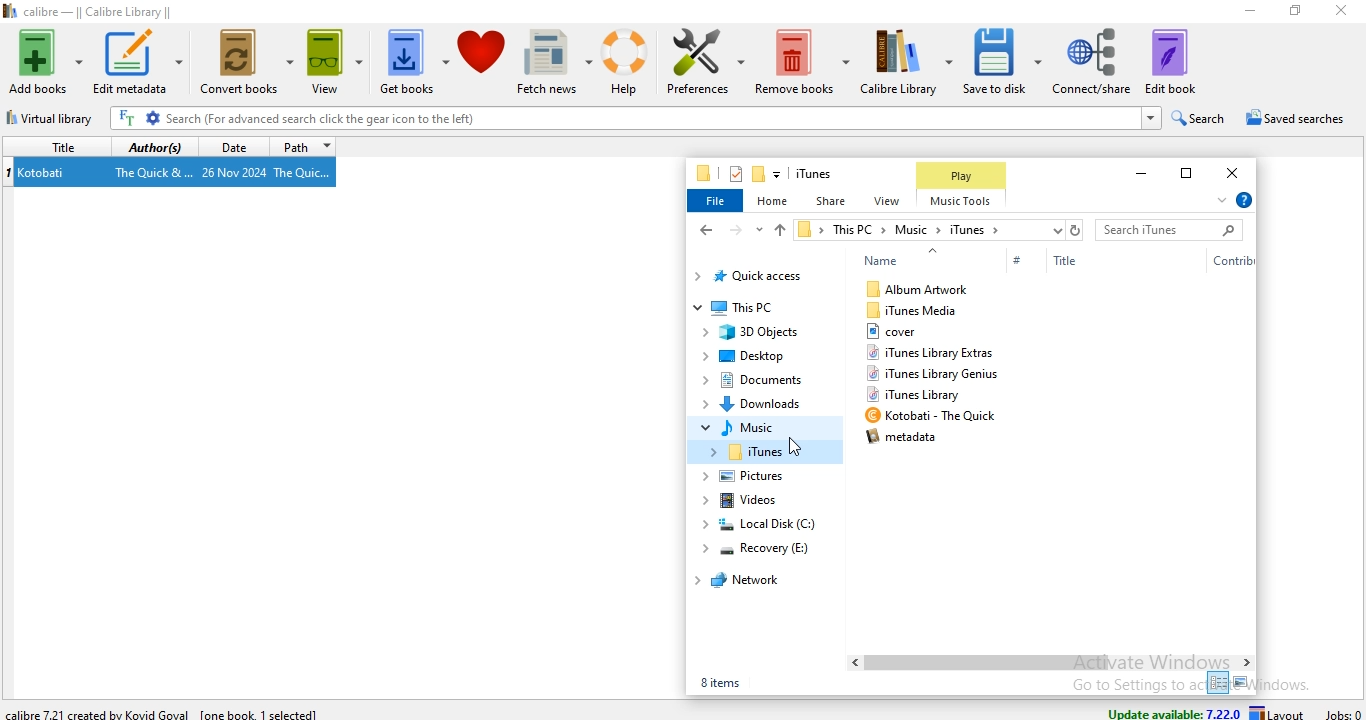  What do you see at coordinates (754, 551) in the screenshot?
I see `recovery (E:)` at bounding box center [754, 551].